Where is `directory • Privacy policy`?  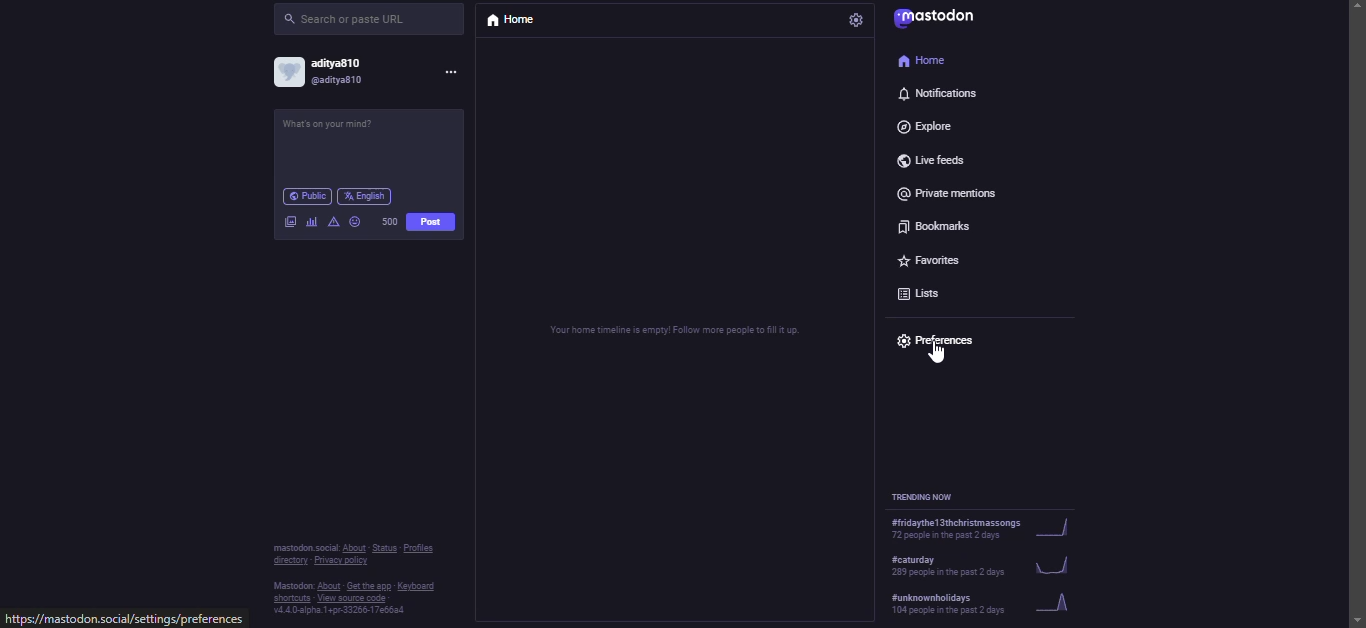 directory • Privacy policy is located at coordinates (327, 560).